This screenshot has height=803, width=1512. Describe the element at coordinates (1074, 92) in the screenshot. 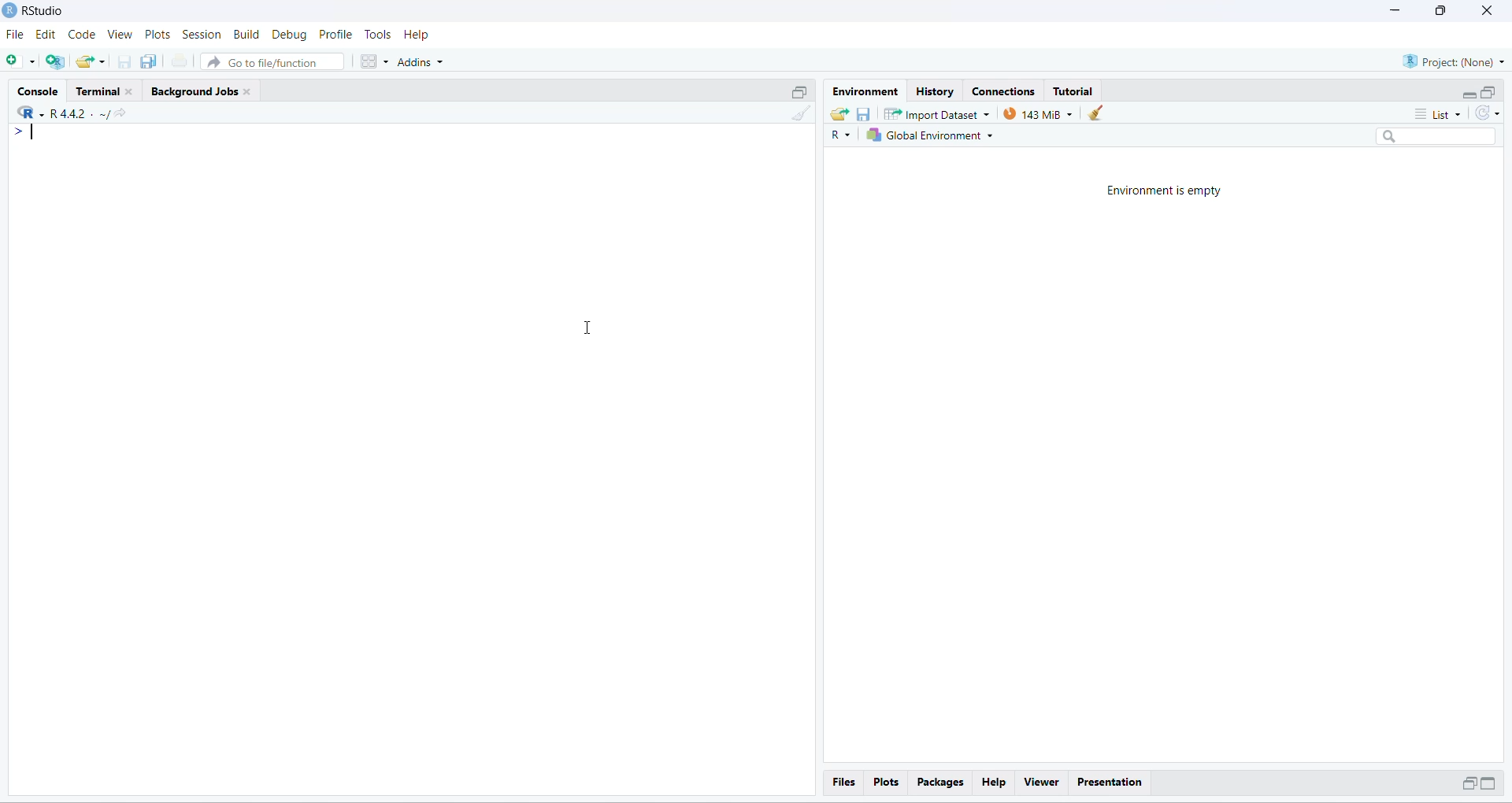

I see `tutorial` at that location.